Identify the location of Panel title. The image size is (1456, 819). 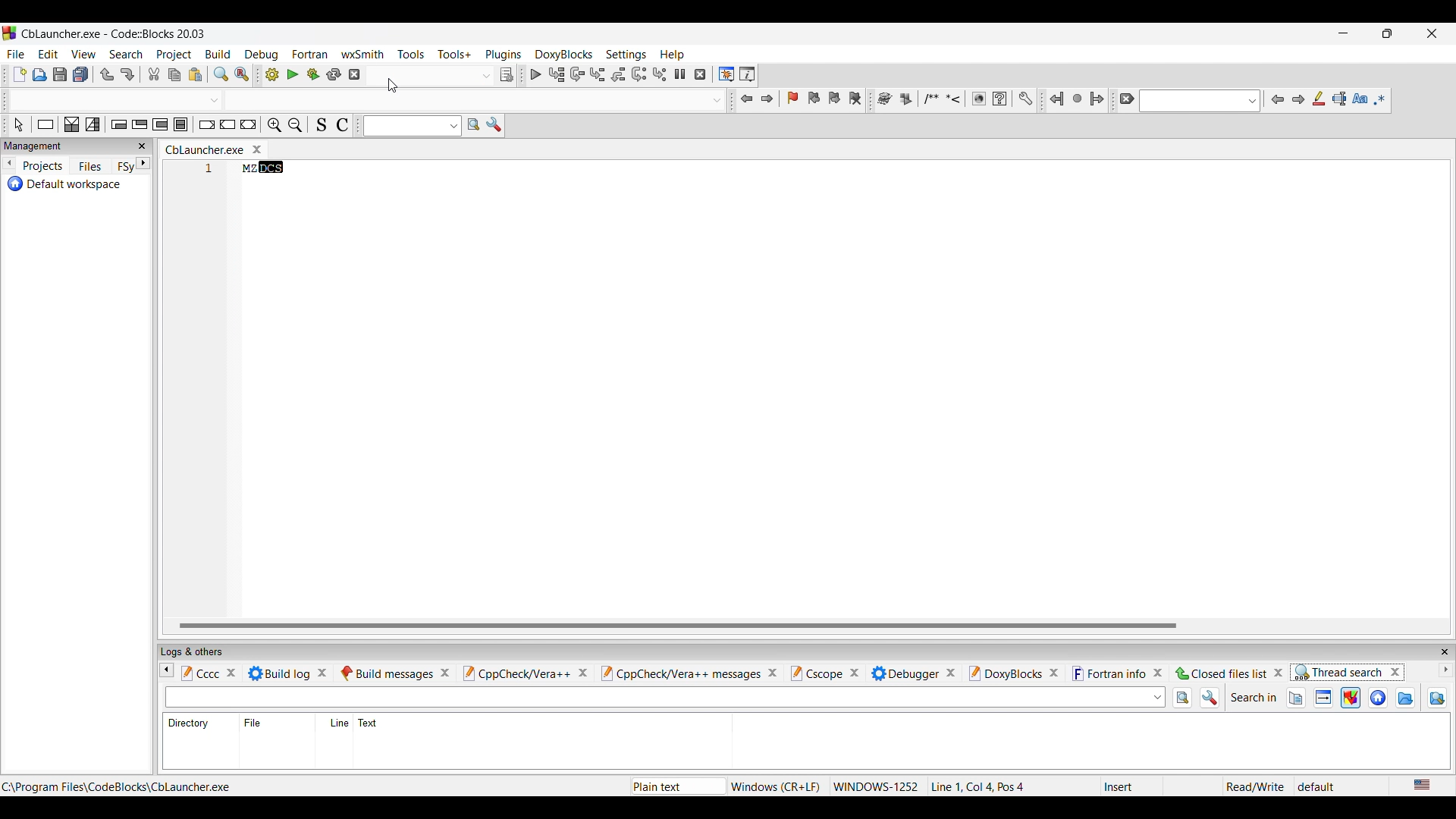
(33, 146).